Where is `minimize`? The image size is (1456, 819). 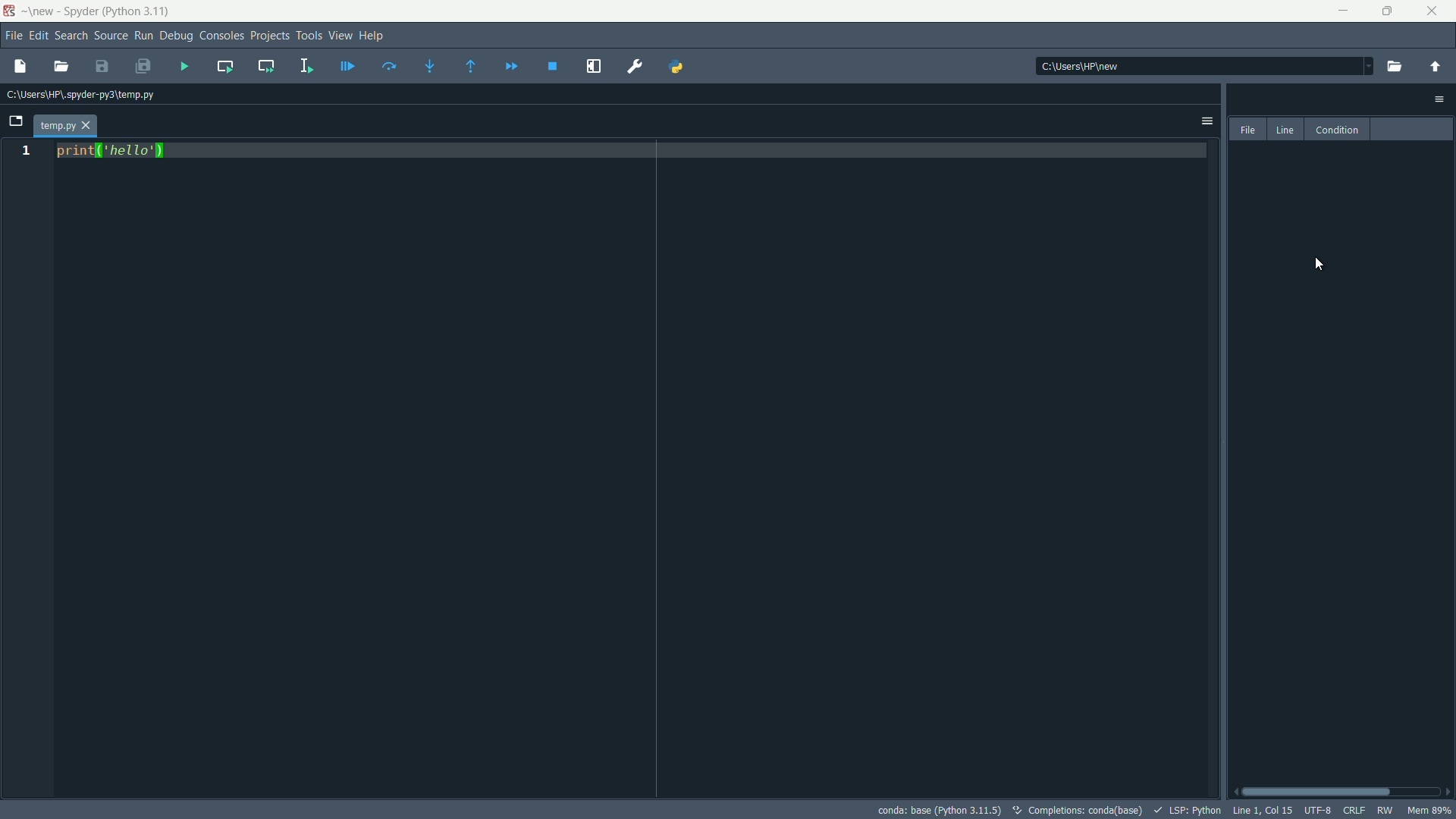 minimize is located at coordinates (1345, 11).